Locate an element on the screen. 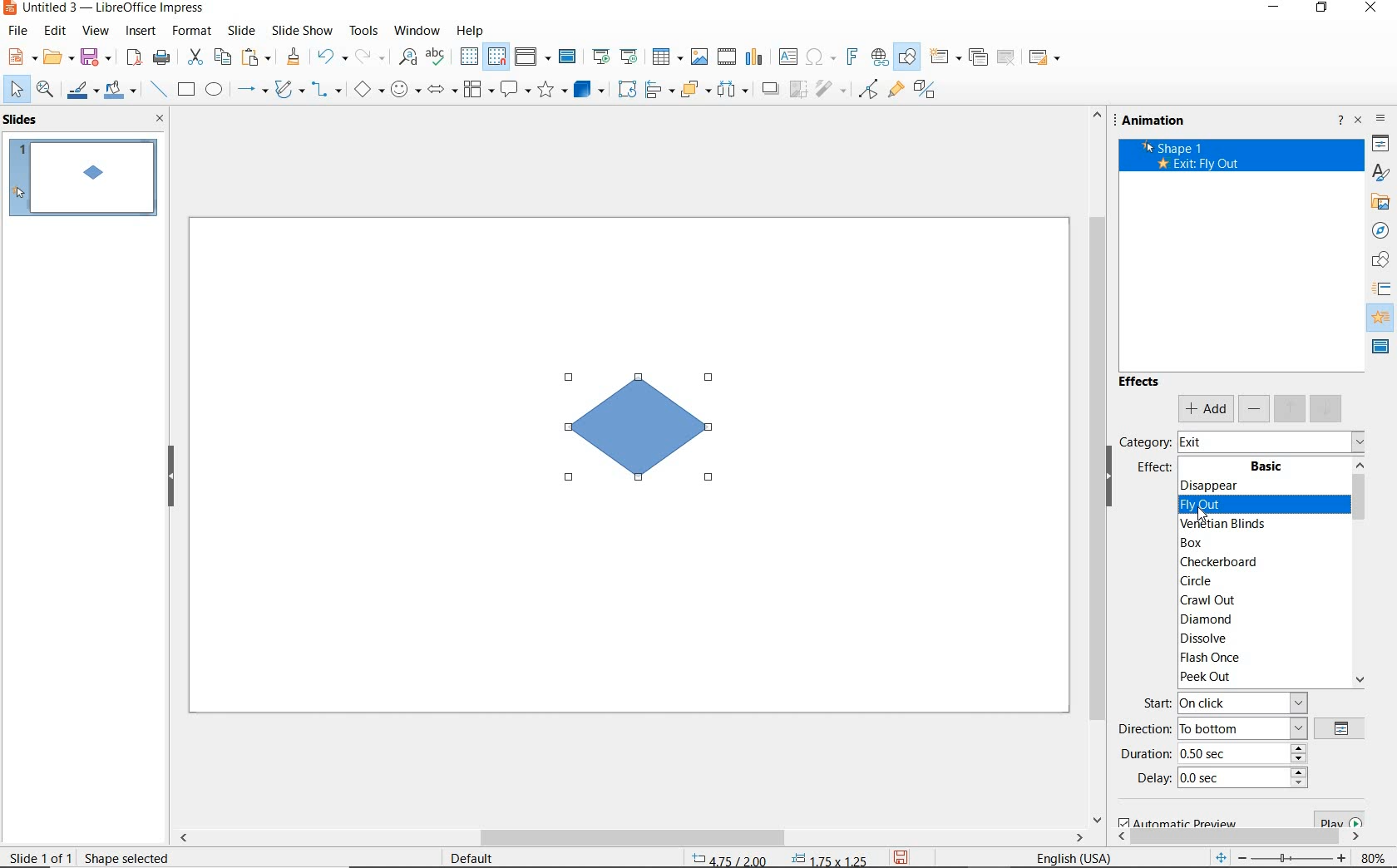 This screenshot has height=868, width=1397. find and replace is located at coordinates (408, 57).